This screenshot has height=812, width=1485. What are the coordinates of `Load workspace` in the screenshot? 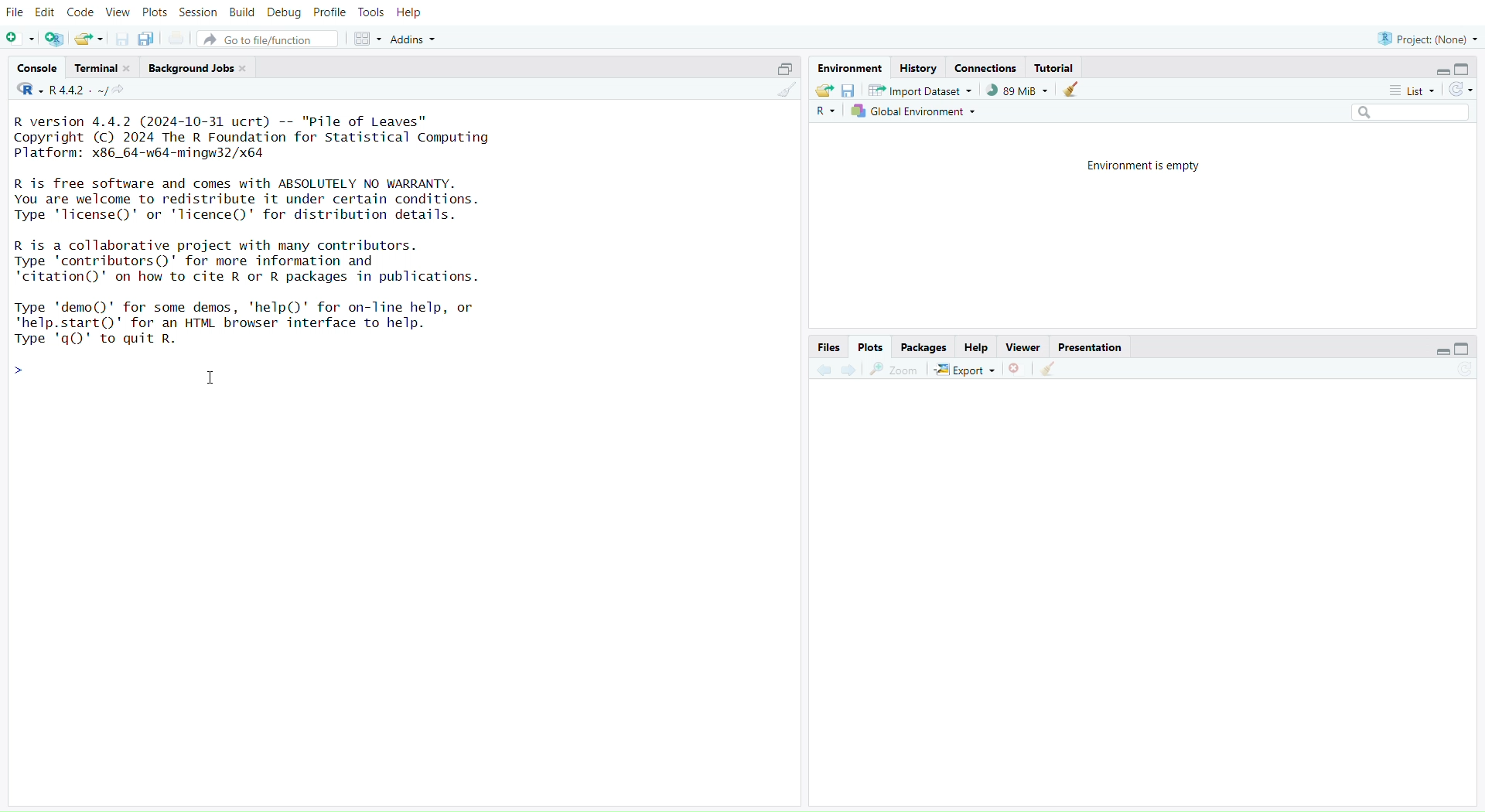 It's located at (824, 91).